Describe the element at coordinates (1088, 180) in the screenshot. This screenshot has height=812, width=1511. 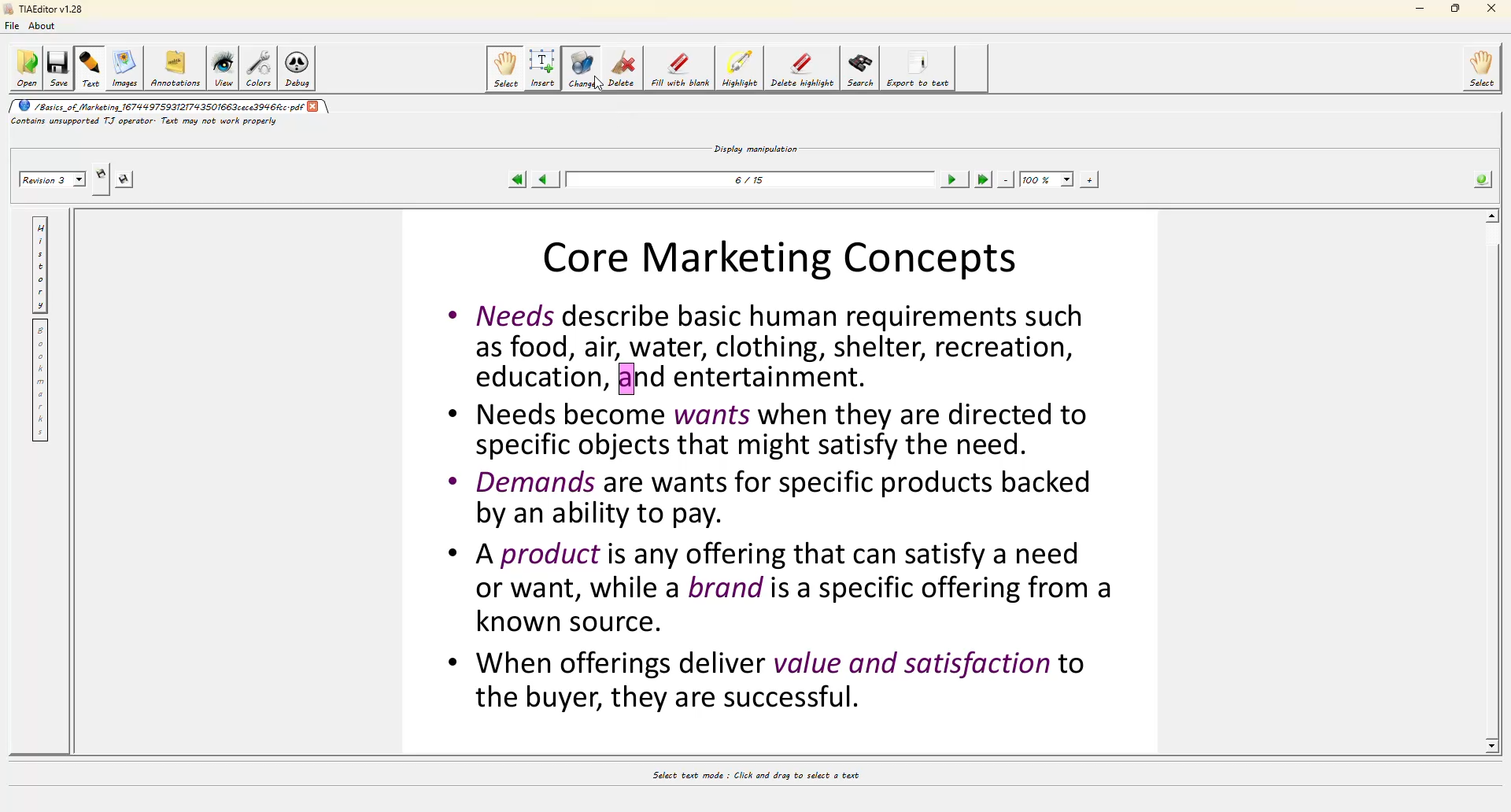
I see `zoom in` at that location.